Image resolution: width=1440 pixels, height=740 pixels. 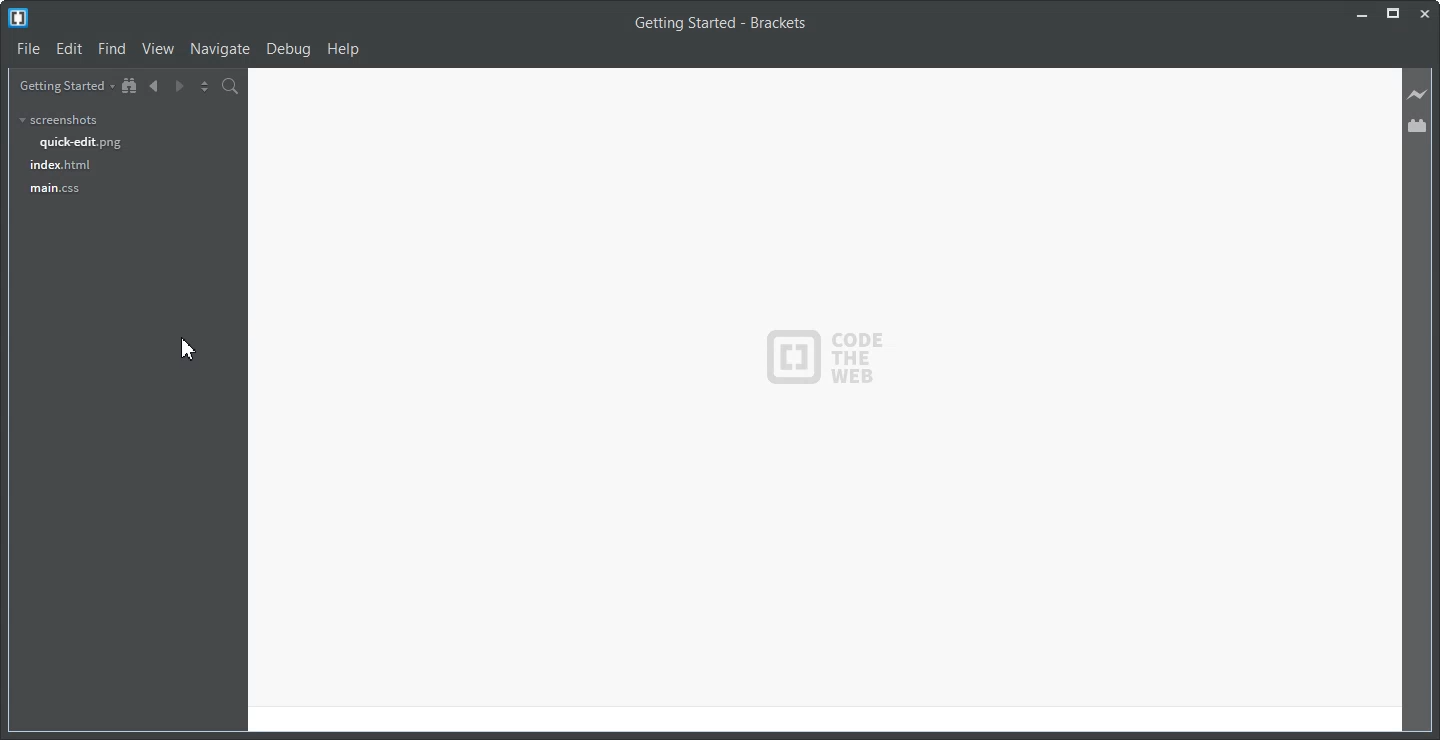 What do you see at coordinates (62, 85) in the screenshot?
I see `Getting Started` at bounding box center [62, 85].